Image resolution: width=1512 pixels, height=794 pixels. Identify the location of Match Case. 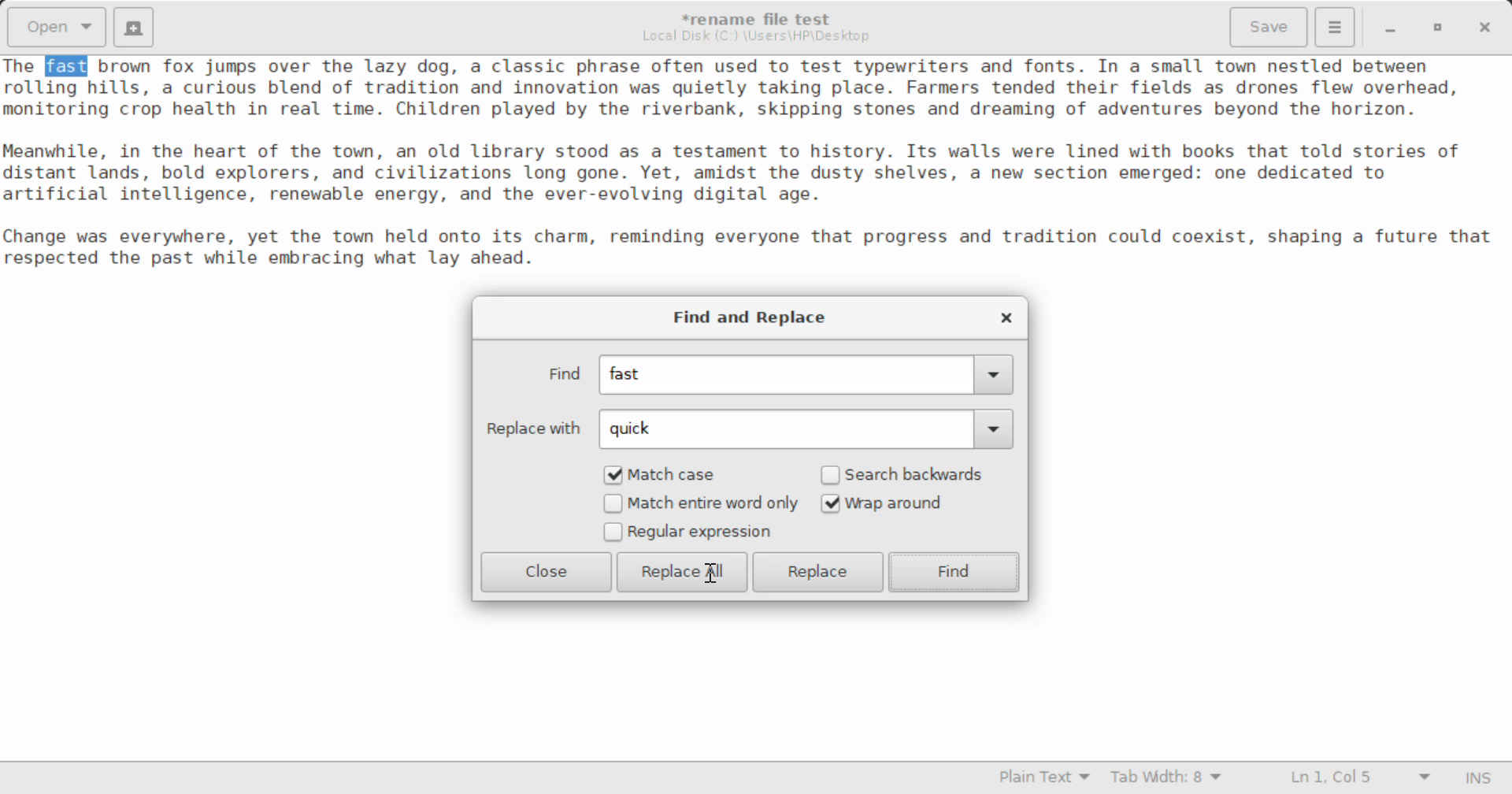
(671, 474).